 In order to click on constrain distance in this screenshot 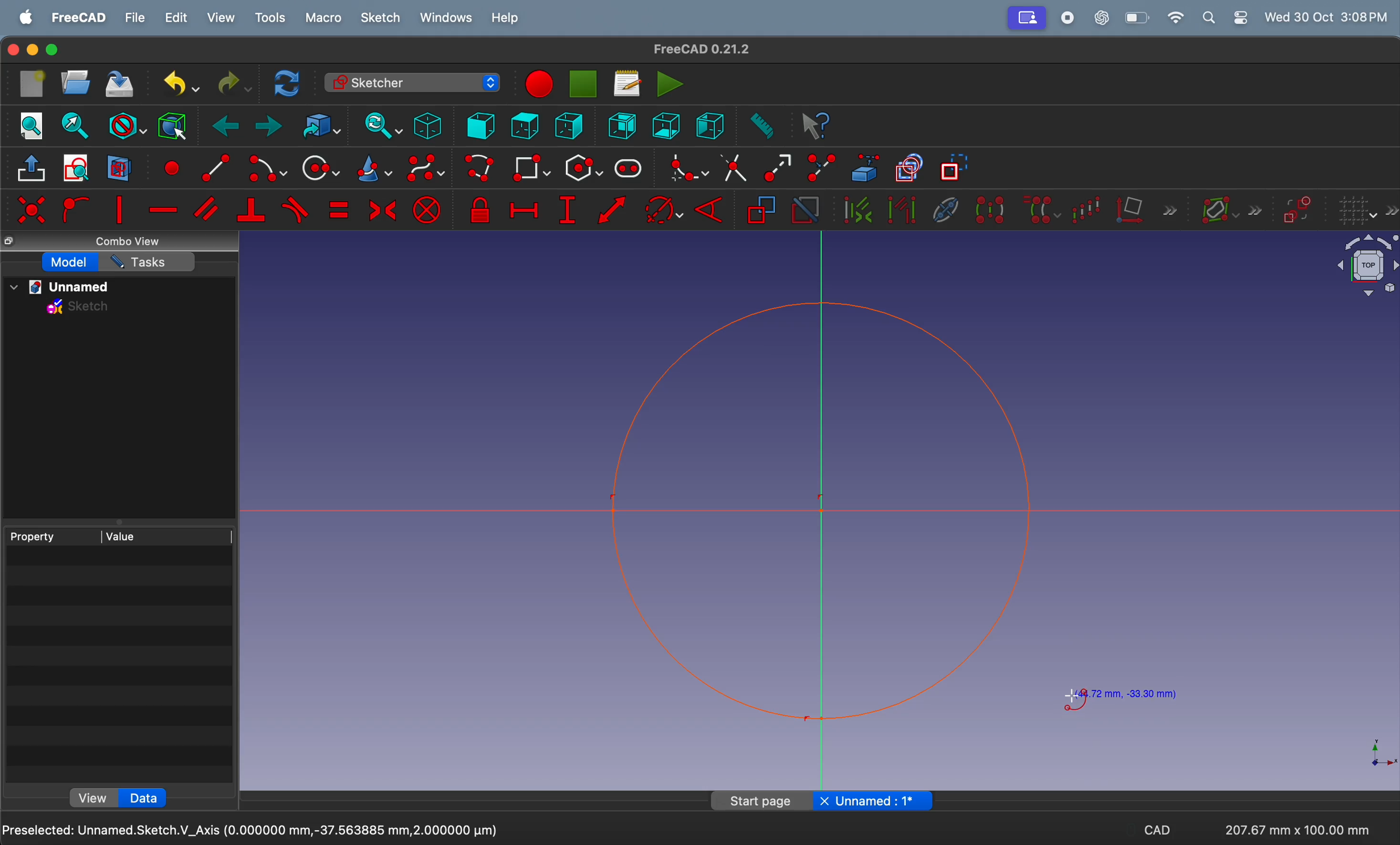, I will do `click(613, 213)`.